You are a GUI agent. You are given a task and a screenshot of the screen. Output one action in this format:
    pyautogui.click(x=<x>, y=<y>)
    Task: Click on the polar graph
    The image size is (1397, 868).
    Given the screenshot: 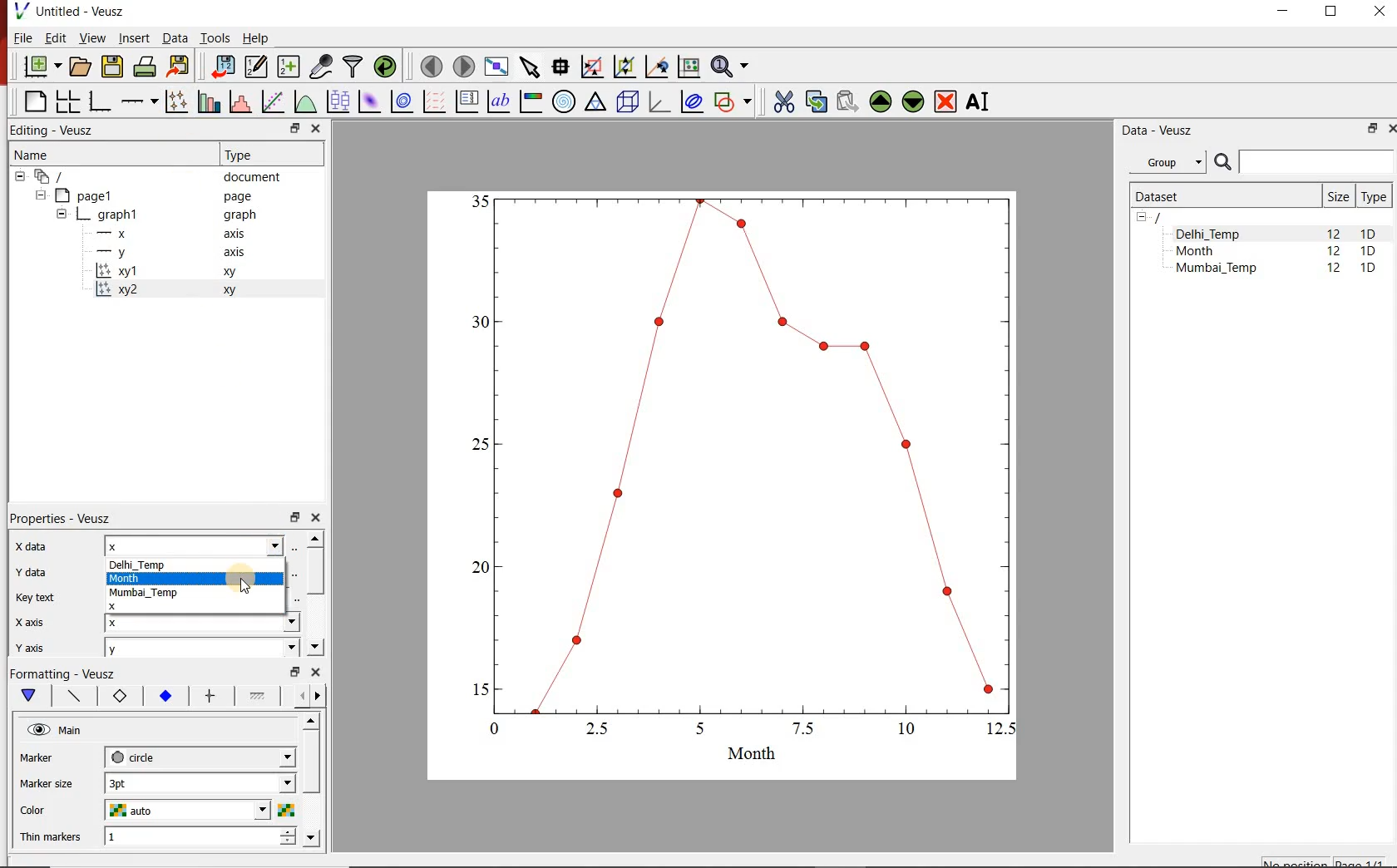 What is the action you would take?
    pyautogui.click(x=565, y=103)
    